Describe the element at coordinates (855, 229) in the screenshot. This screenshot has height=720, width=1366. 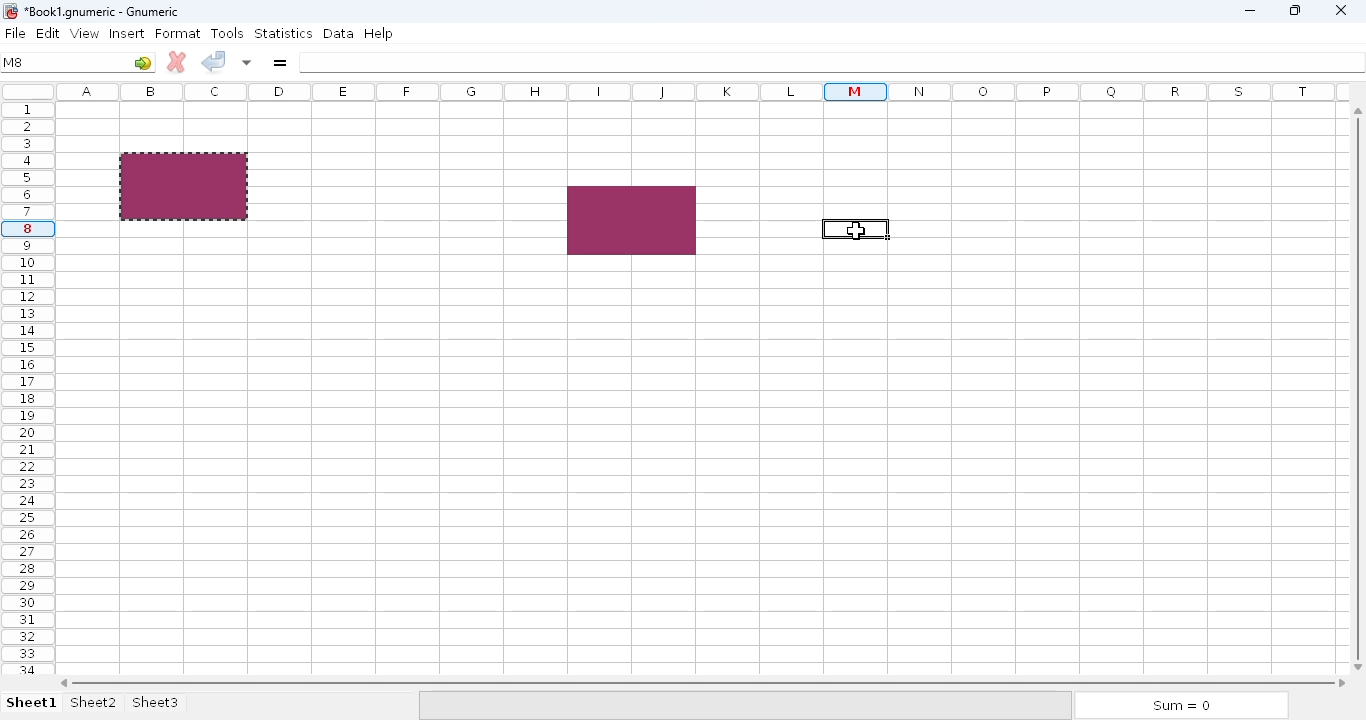
I see `active cell` at that location.